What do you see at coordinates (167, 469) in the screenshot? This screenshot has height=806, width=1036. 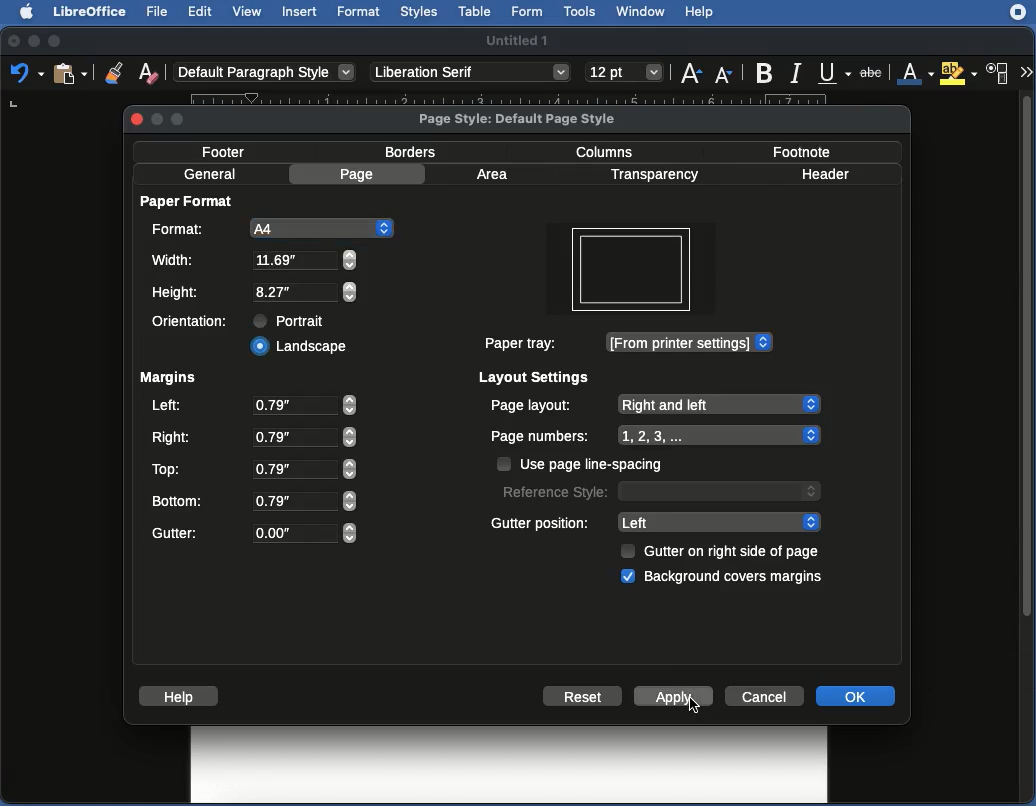 I see `Top` at bounding box center [167, 469].